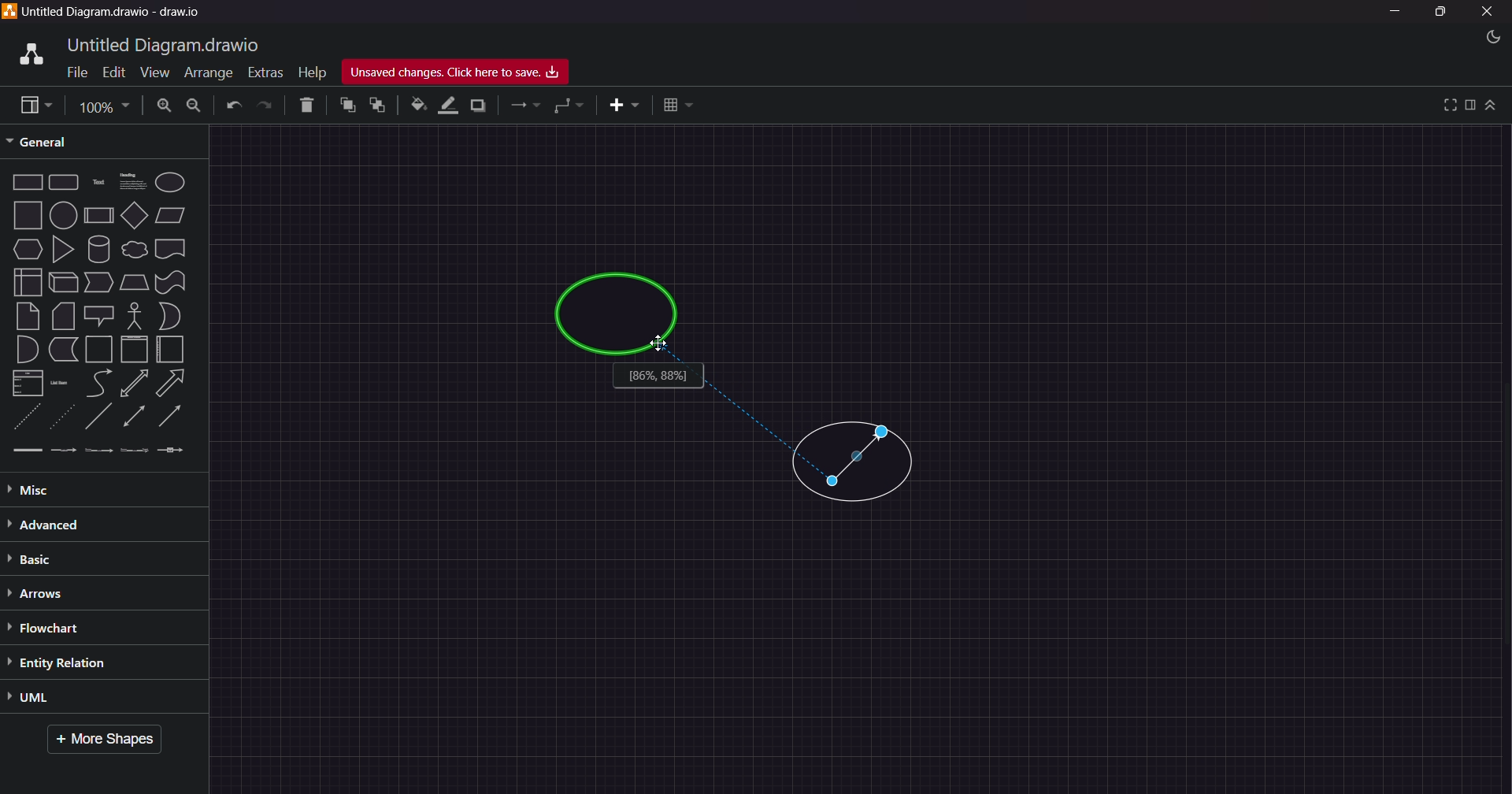 The image size is (1512, 794). Describe the element at coordinates (74, 73) in the screenshot. I see `File` at that location.